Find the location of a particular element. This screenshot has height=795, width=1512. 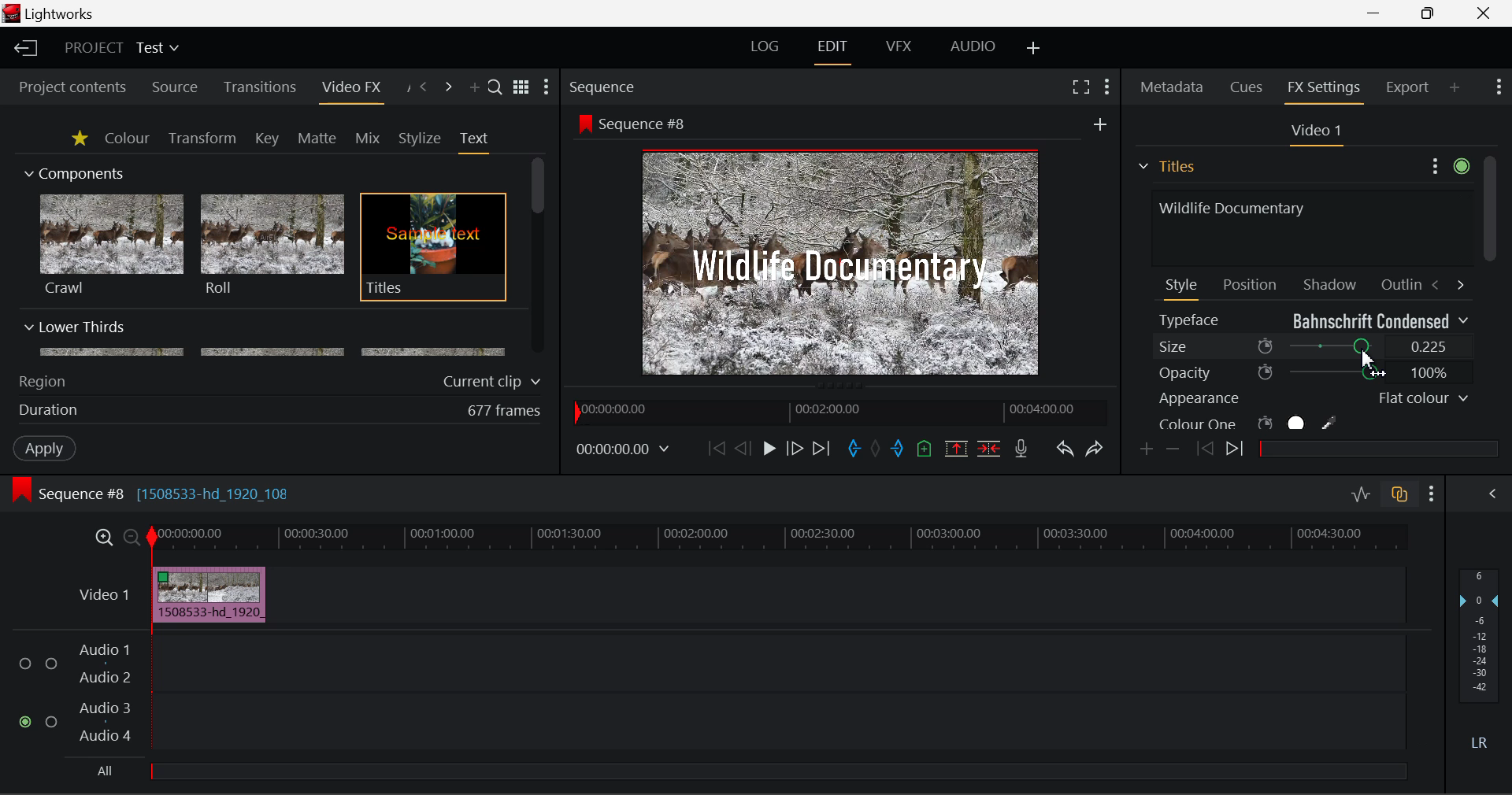

checkbox is located at coordinates (54, 723).